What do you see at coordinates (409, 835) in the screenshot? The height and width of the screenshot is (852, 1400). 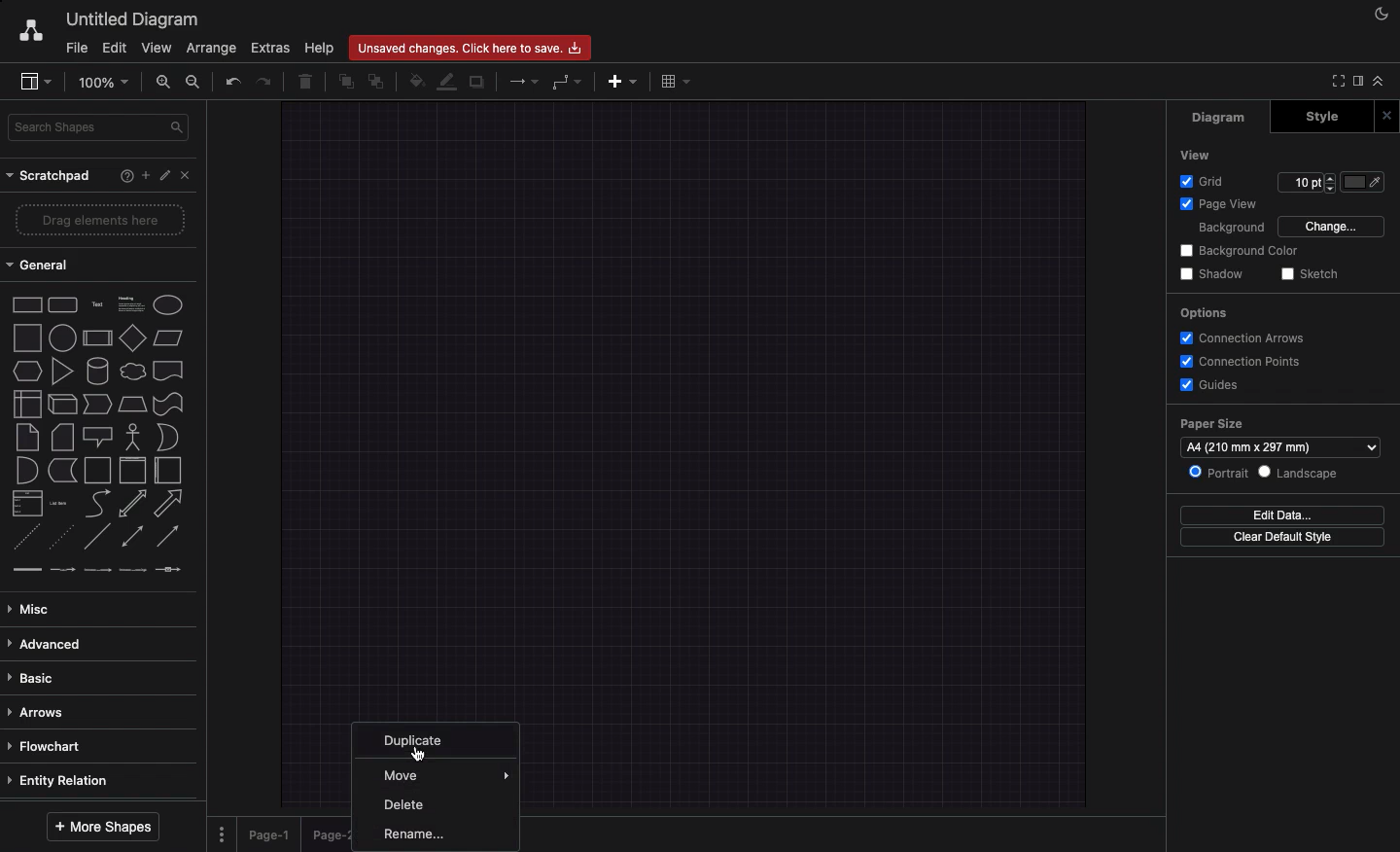 I see `Rename` at bounding box center [409, 835].